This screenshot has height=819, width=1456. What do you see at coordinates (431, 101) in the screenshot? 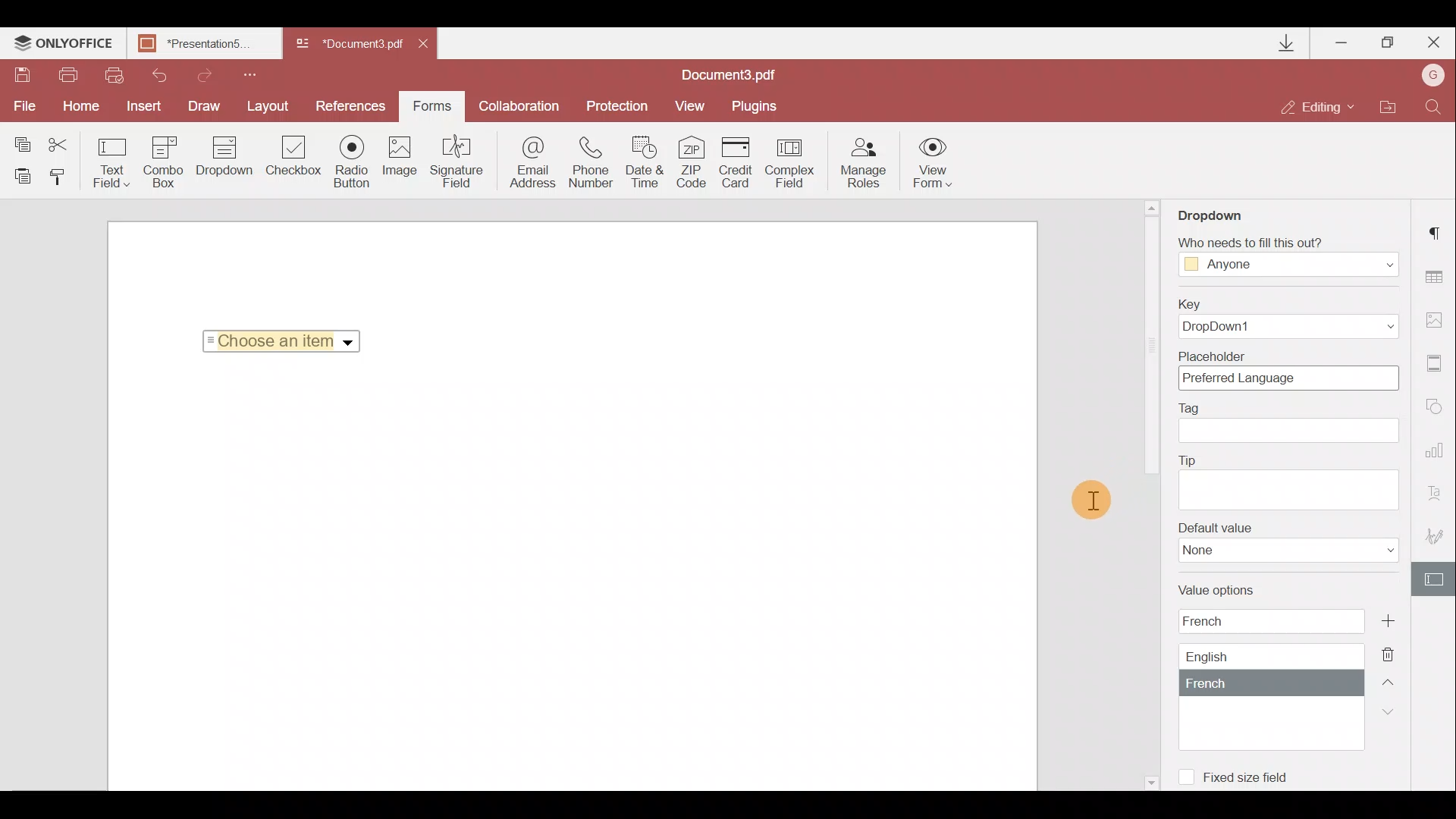
I see `Forms` at bounding box center [431, 101].